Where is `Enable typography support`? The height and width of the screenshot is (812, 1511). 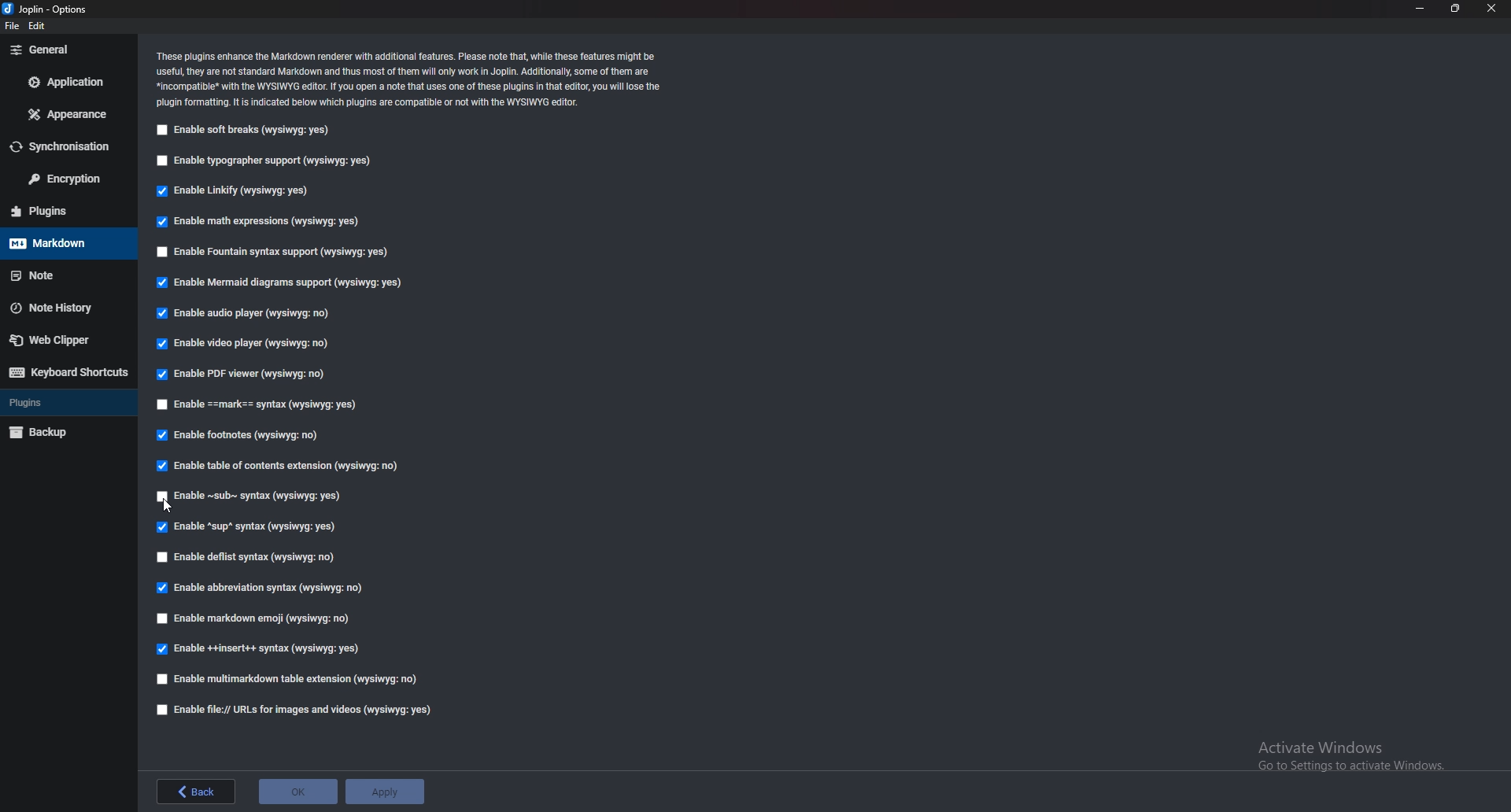
Enable typography support is located at coordinates (268, 162).